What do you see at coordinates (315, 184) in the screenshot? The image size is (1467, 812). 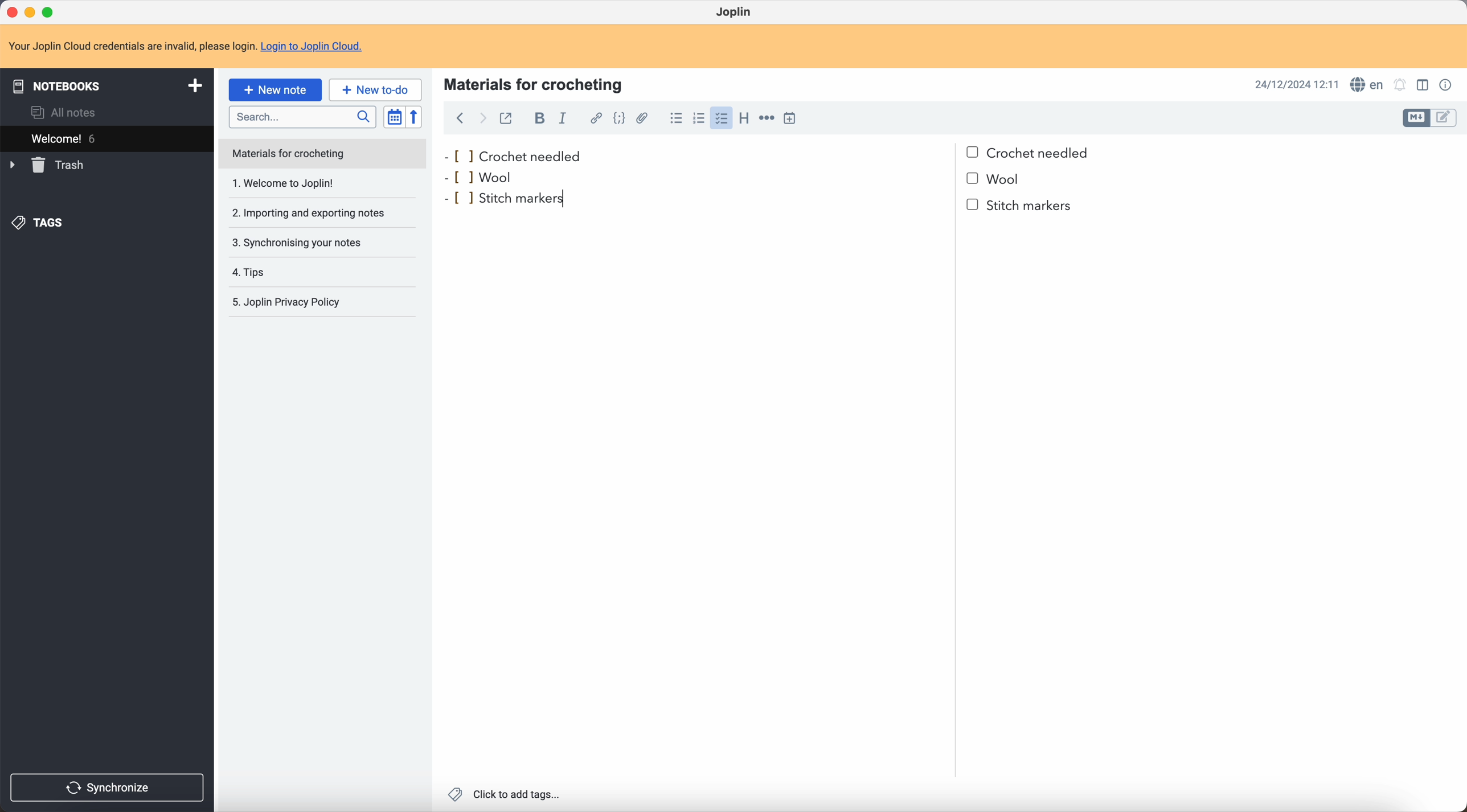 I see `1. Welcome to Joplin!` at bounding box center [315, 184].